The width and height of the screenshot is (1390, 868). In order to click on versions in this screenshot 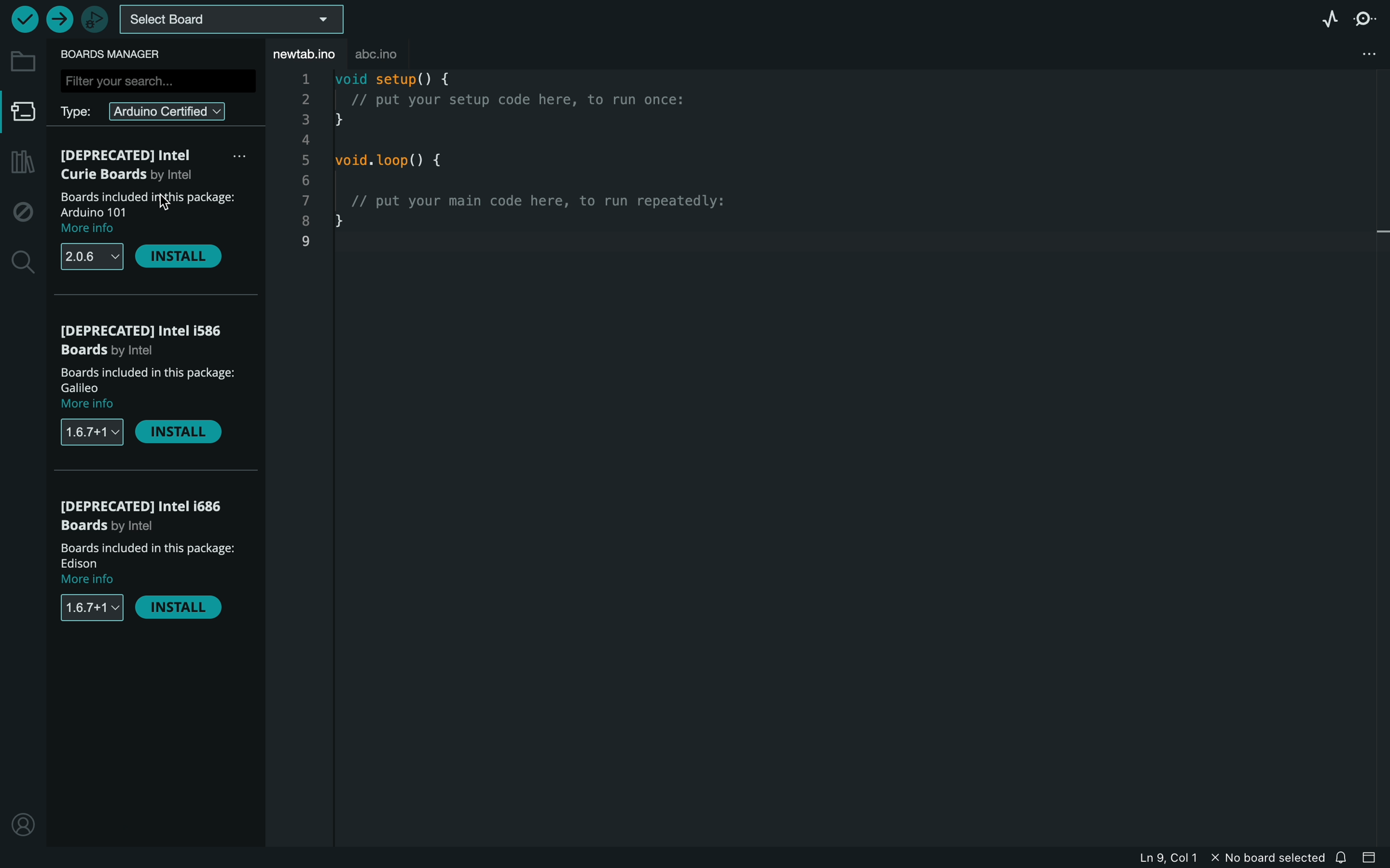, I will do `click(91, 610)`.